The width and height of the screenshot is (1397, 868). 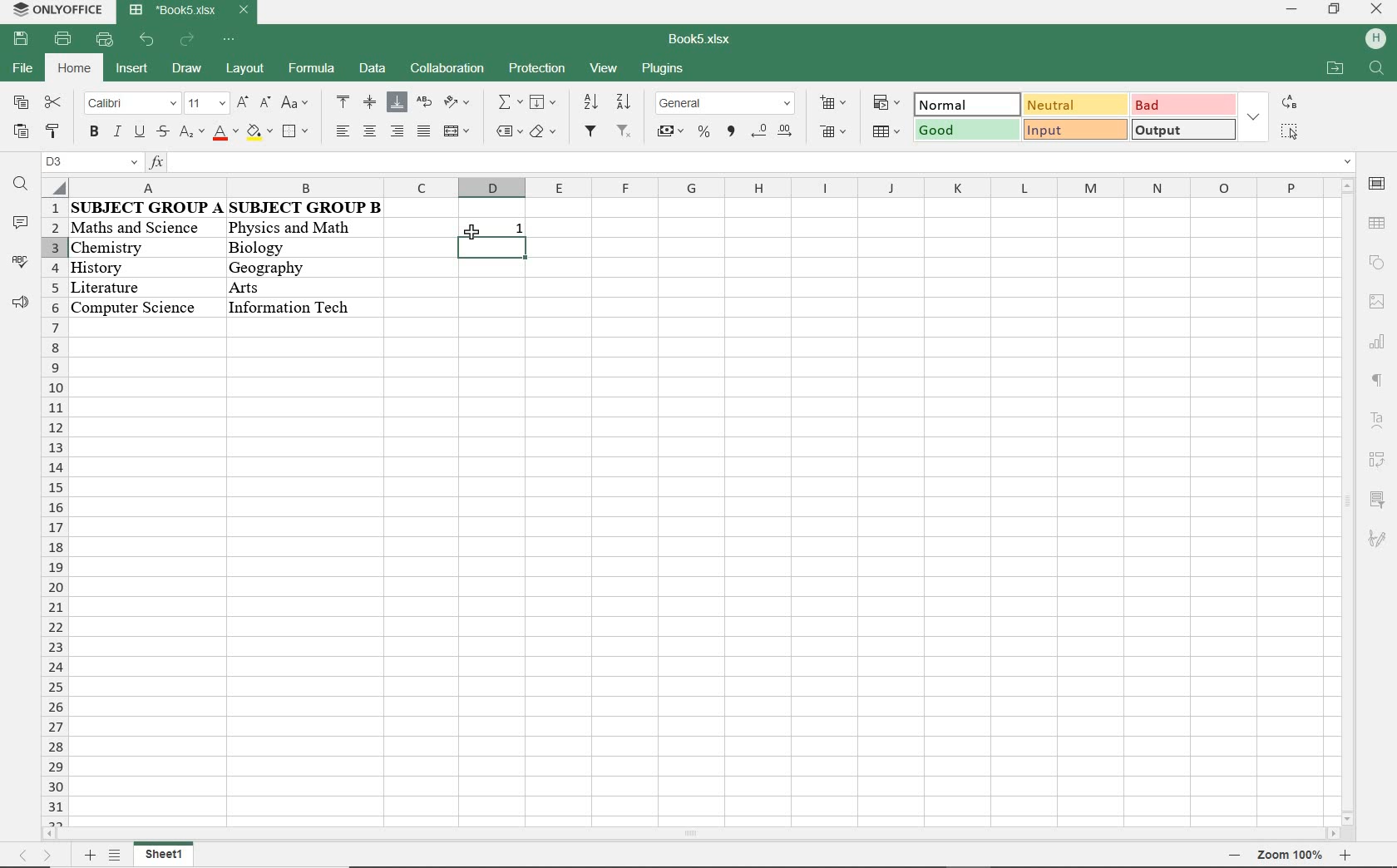 What do you see at coordinates (230, 208) in the screenshot?
I see `data` at bounding box center [230, 208].